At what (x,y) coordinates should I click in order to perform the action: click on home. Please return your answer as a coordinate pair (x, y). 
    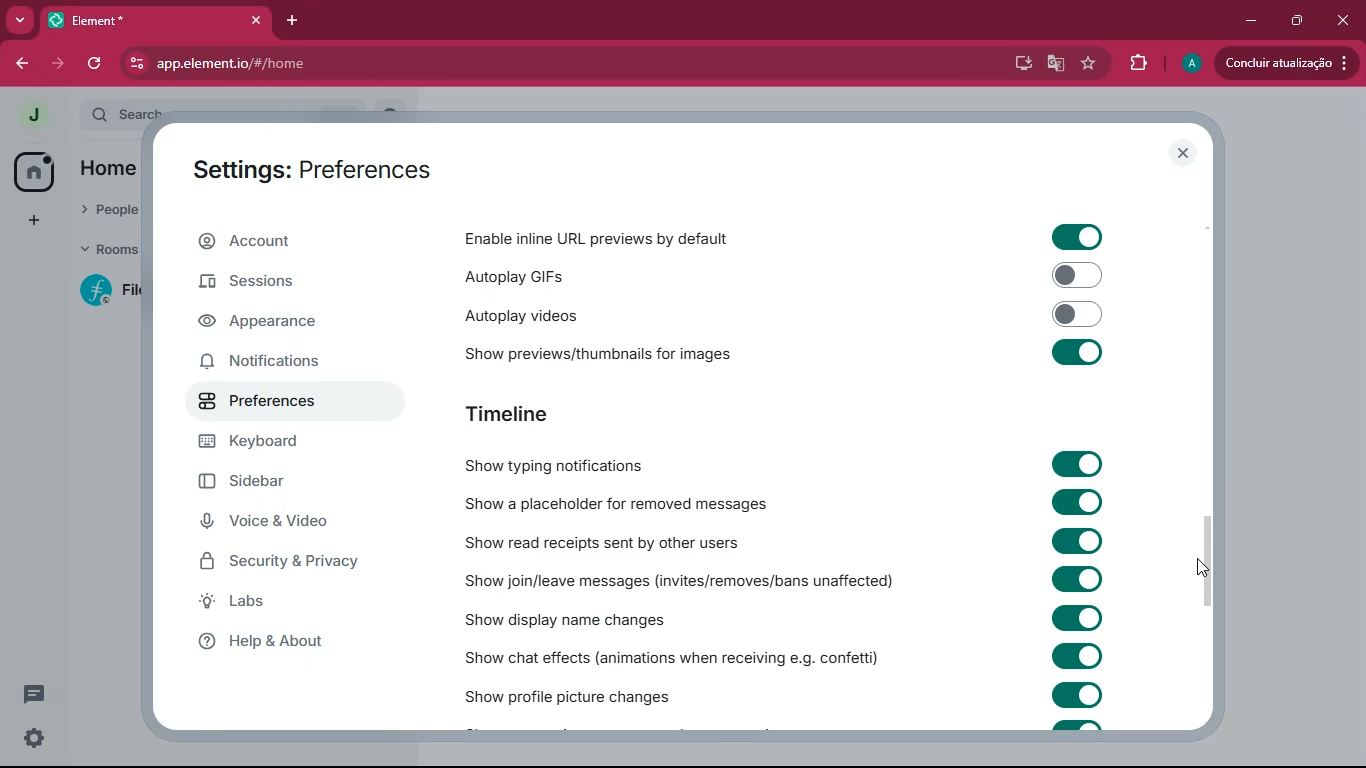
    Looking at the image, I should click on (36, 173).